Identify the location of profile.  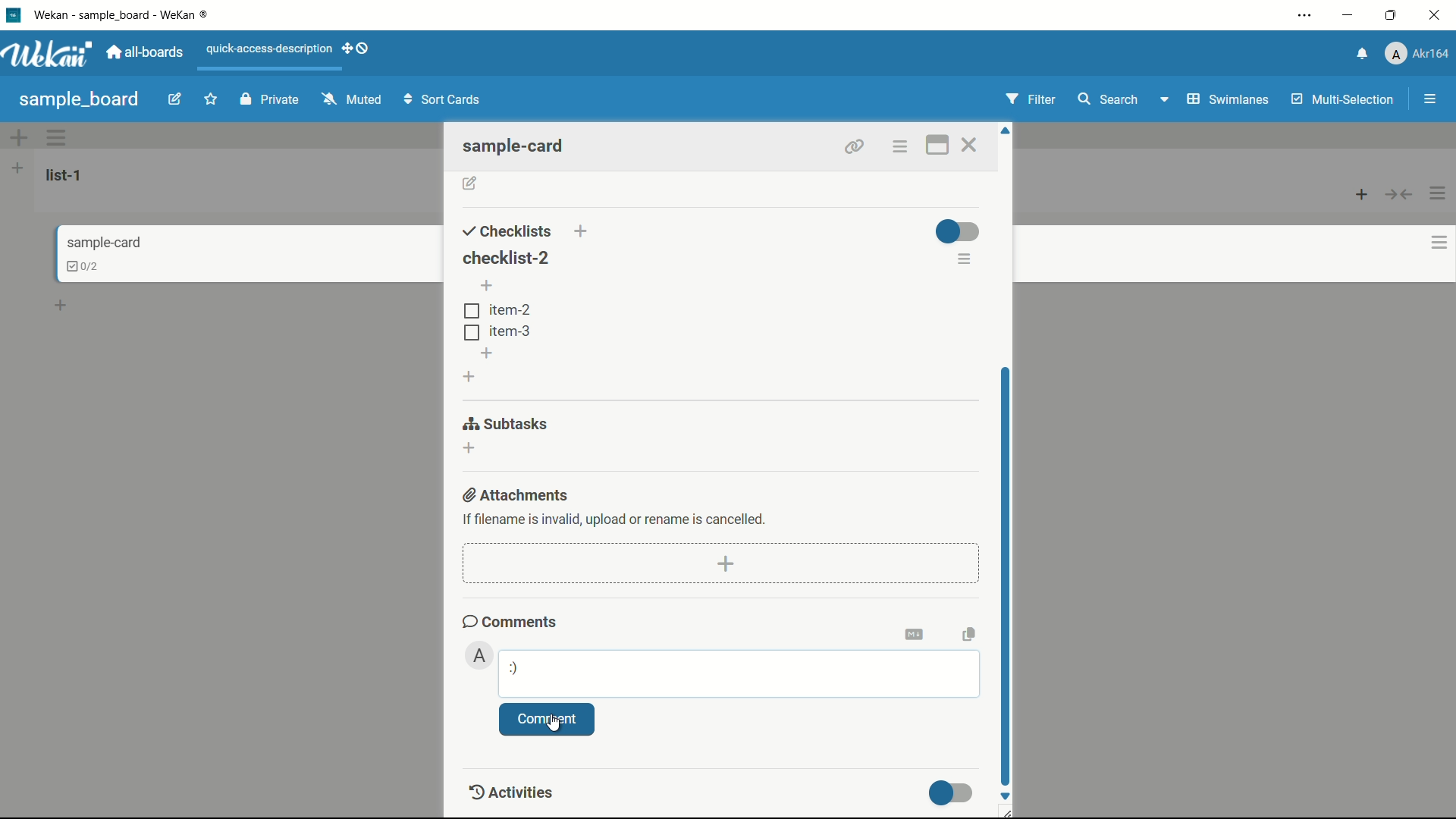
(1420, 54).